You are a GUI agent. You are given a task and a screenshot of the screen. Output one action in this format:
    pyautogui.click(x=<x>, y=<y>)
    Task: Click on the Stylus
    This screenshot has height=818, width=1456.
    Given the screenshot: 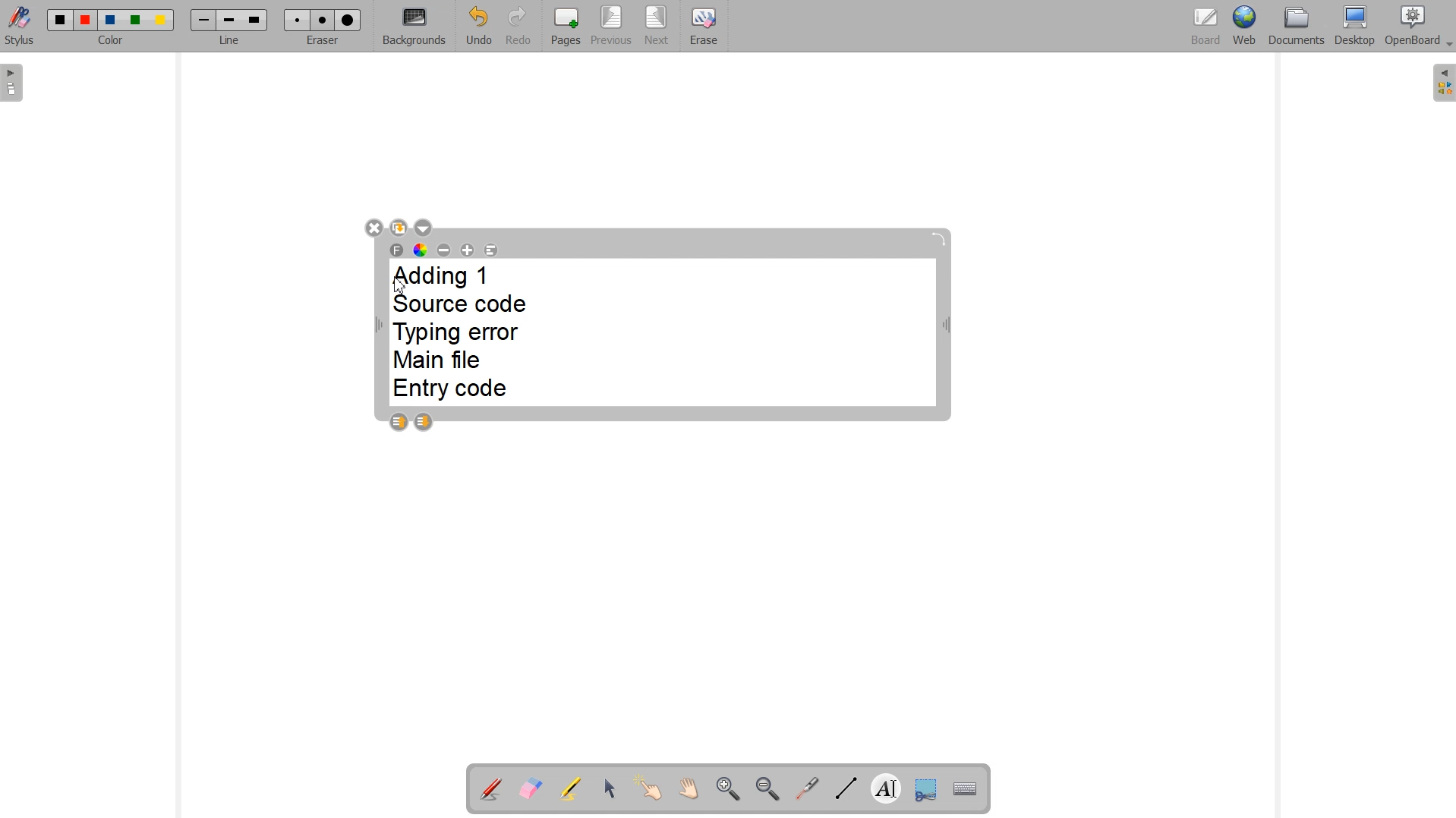 What is the action you would take?
    pyautogui.click(x=20, y=29)
    